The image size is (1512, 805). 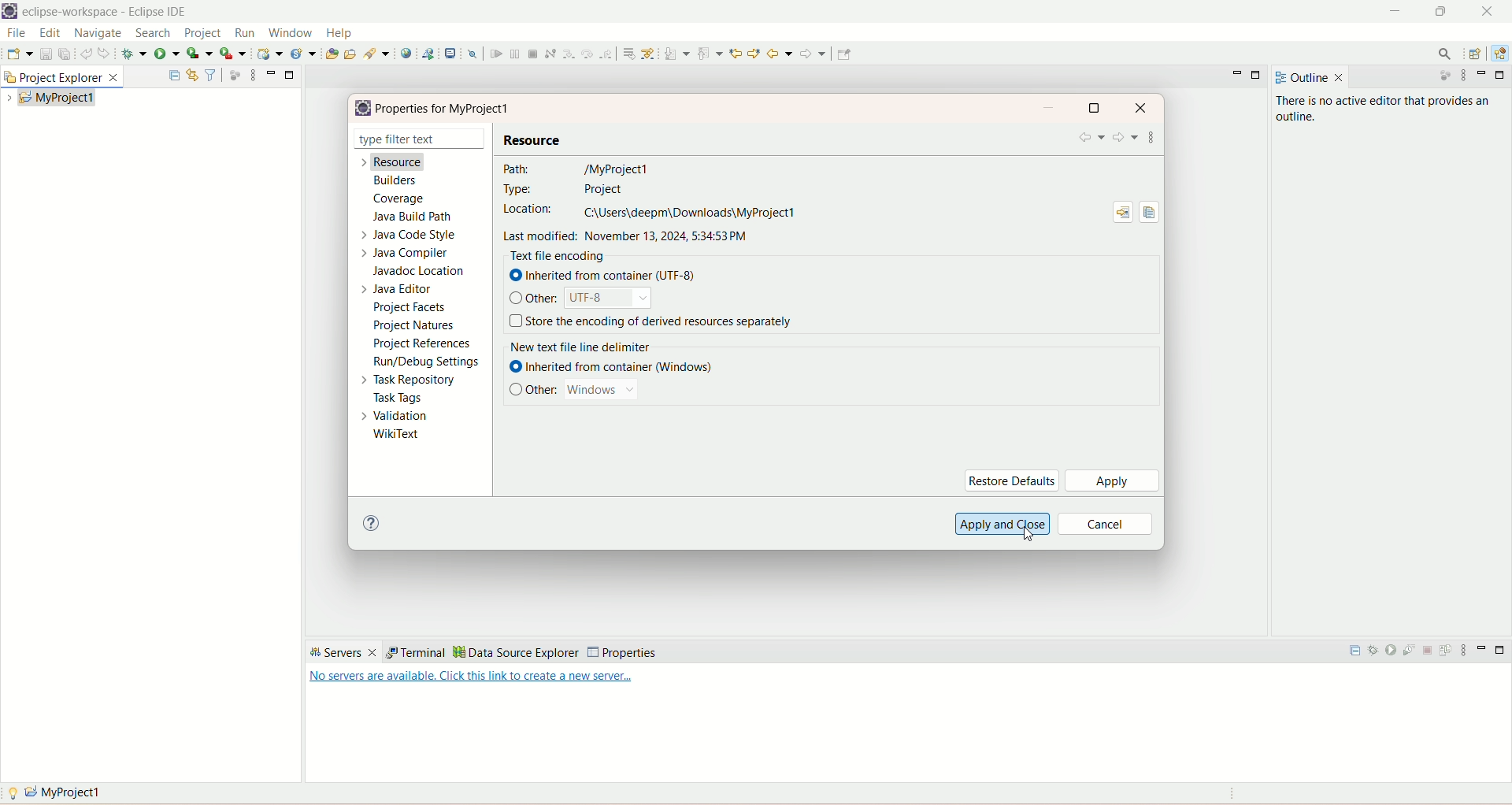 What do you see at coordinates (199, 54) in the screenshot?
I see `coverage` at bounding box center [199, 54].